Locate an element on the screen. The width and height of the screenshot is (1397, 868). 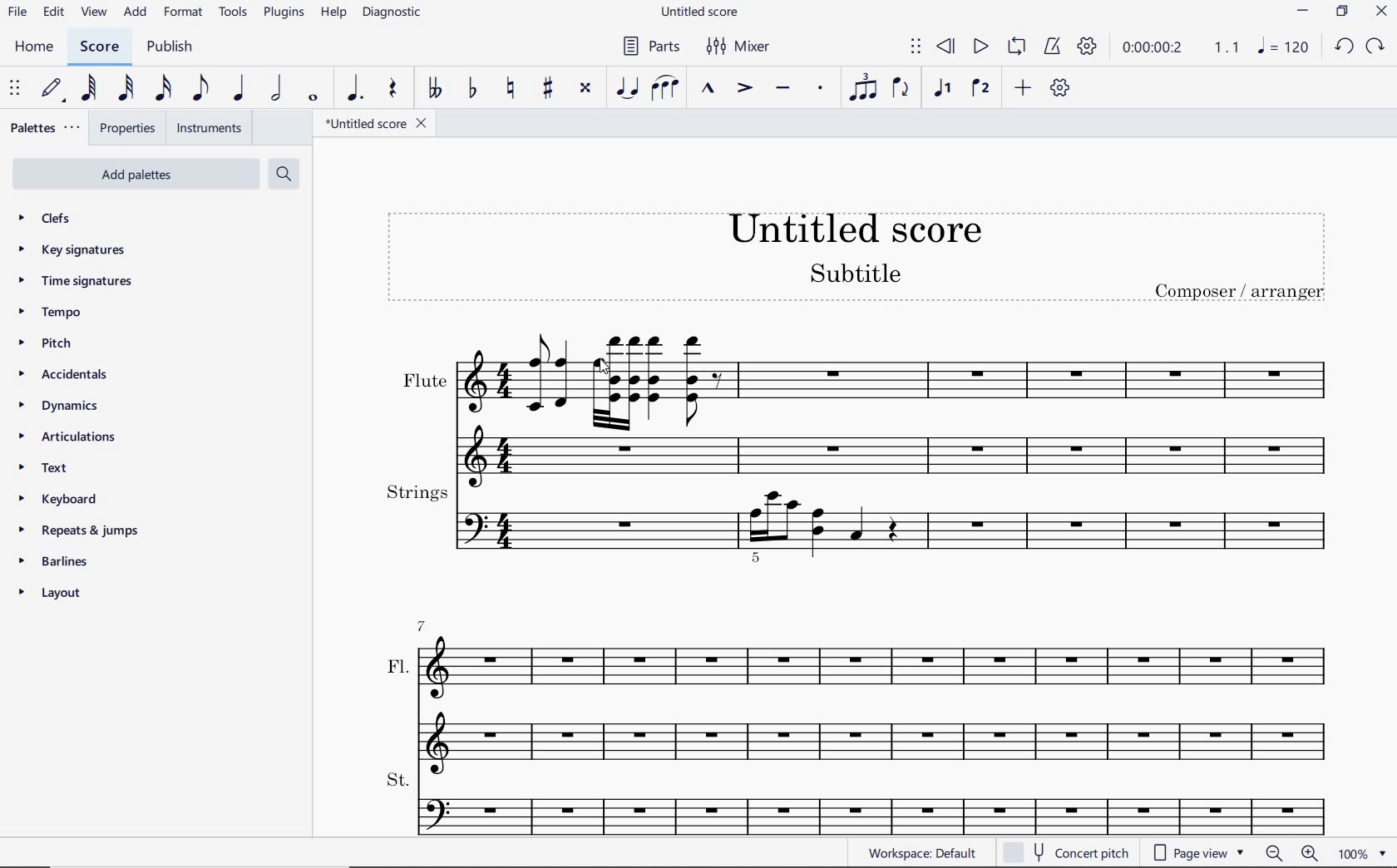
VOICE 1 is located at coordinates (941, 89).